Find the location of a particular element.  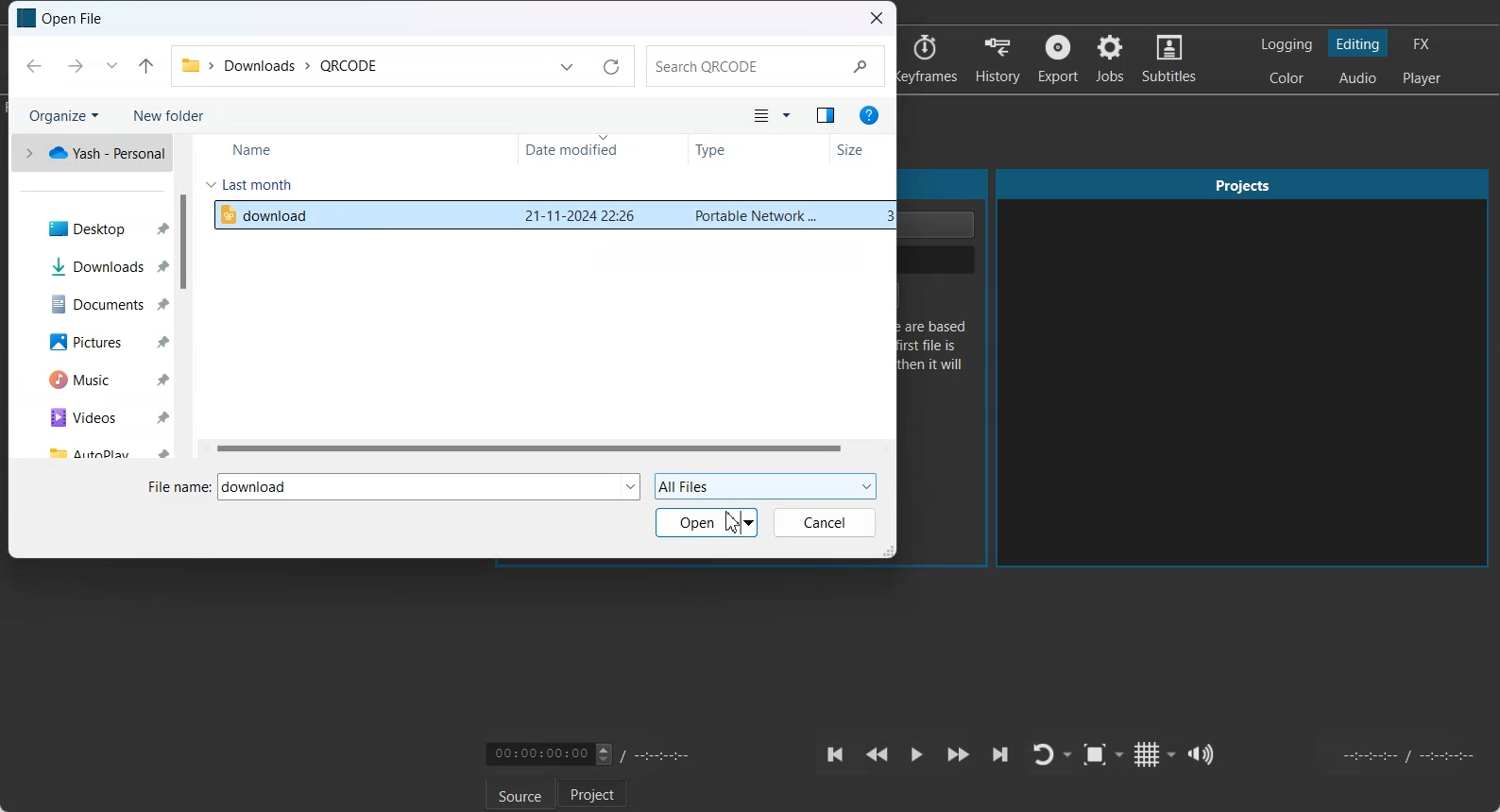

Window Adjuster is located at coordinates (891, 550).